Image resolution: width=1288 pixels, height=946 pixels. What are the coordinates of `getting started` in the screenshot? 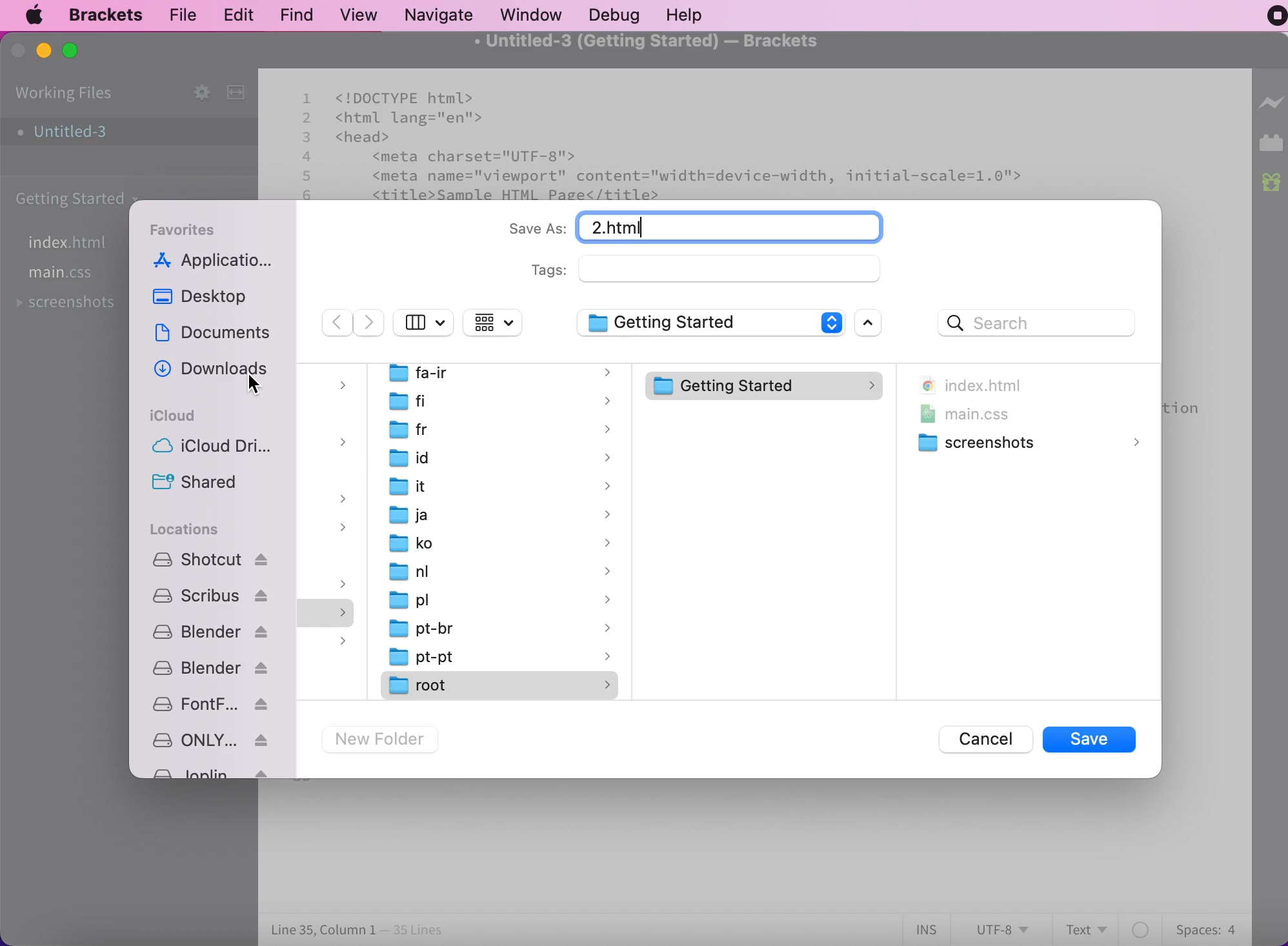 It's located at (767, 385).